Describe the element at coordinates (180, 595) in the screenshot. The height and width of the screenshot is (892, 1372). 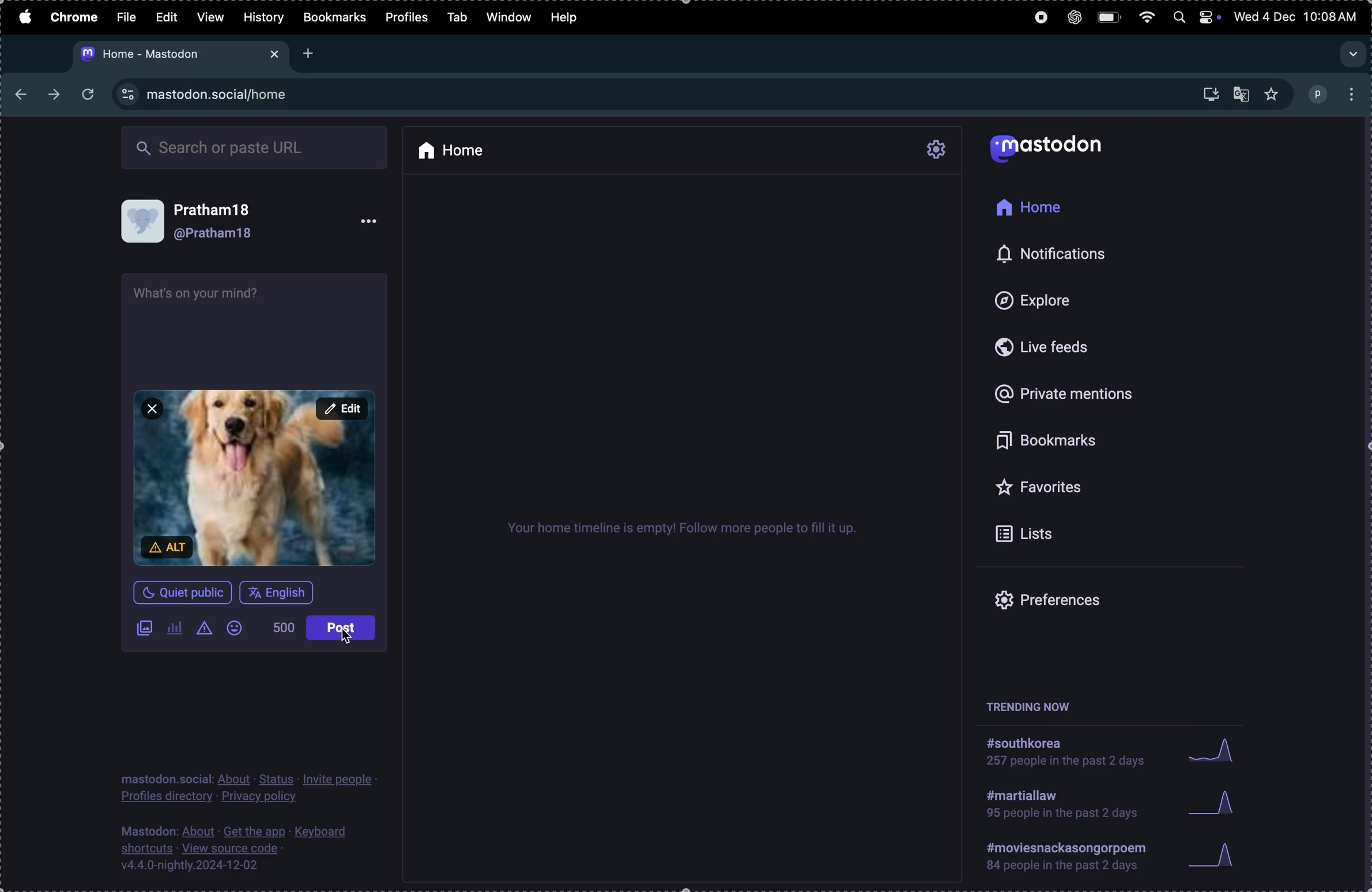
I see `Quiet public` at that location.